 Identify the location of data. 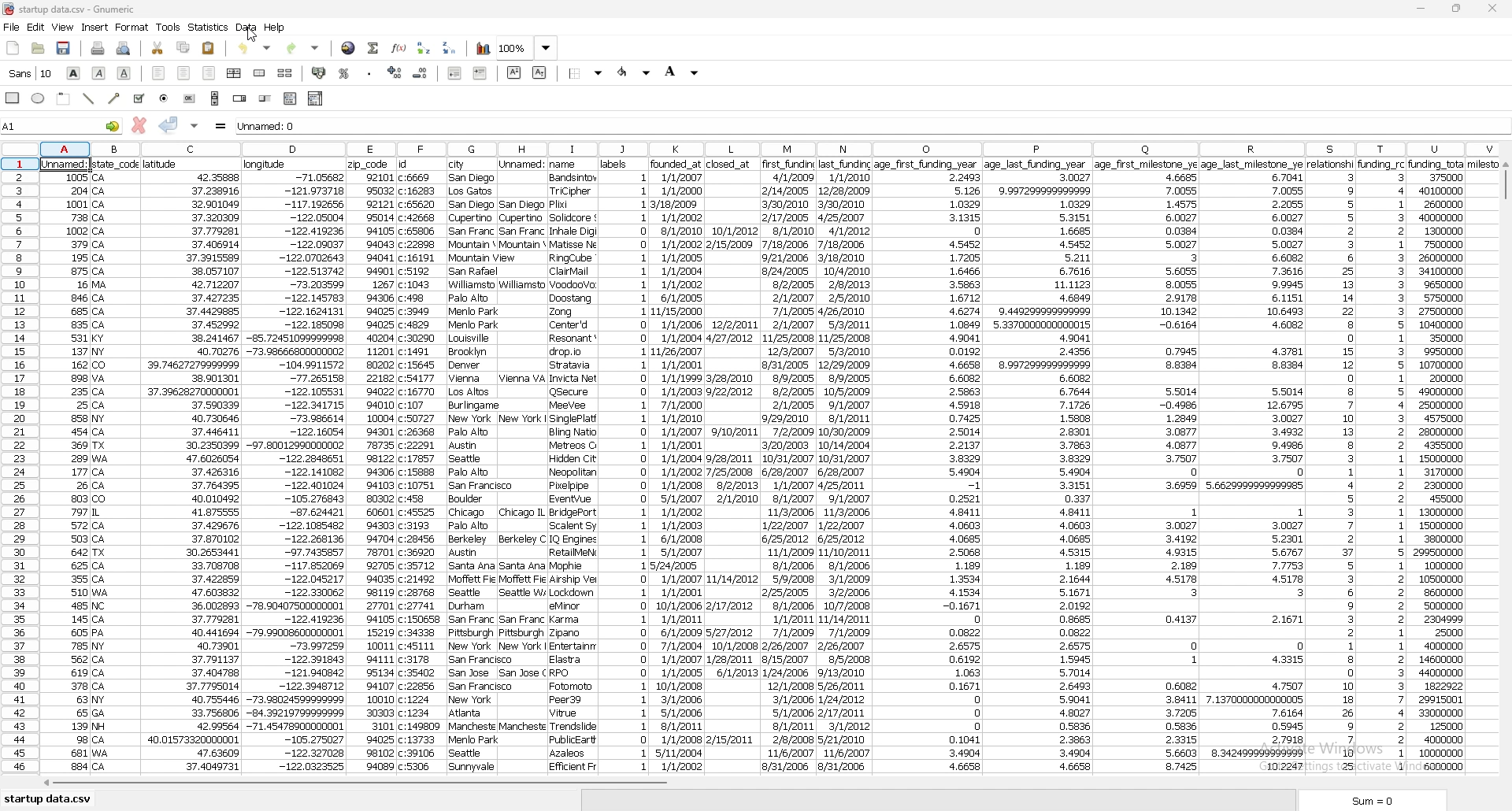
(67, 471).